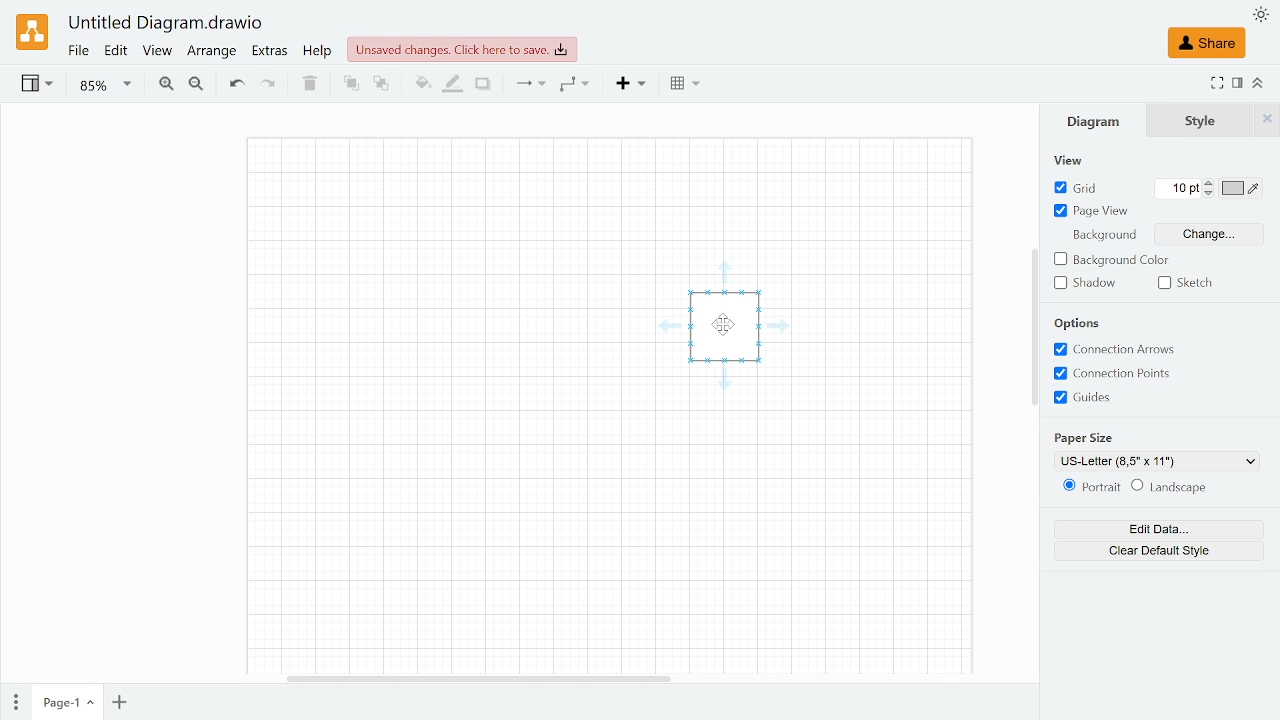 The width and height of the screenshot is (1280, 720). I want to click on Edit data, so click(1154, 529).